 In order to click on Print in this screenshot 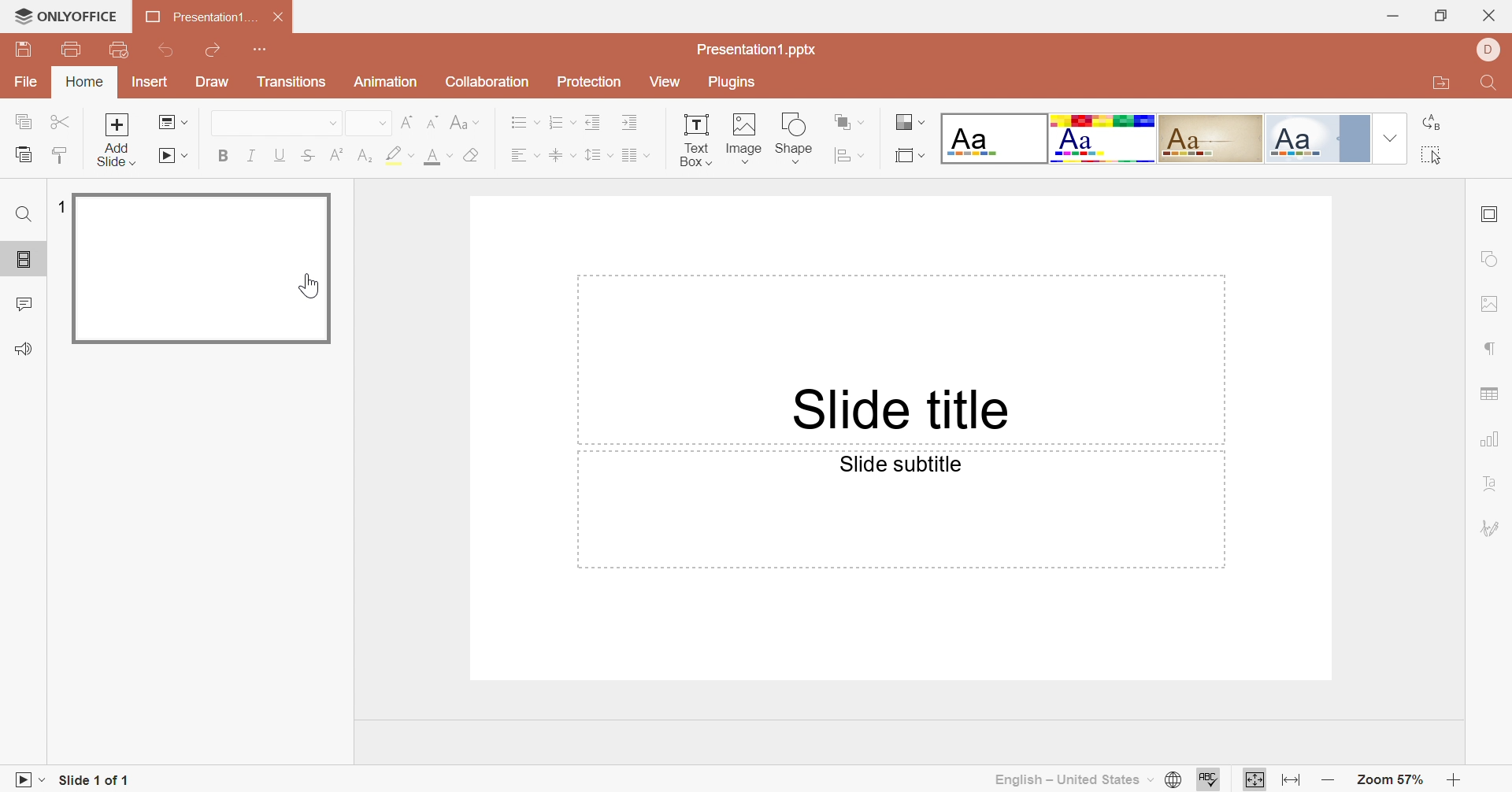, I will do `click(69, 47)`.